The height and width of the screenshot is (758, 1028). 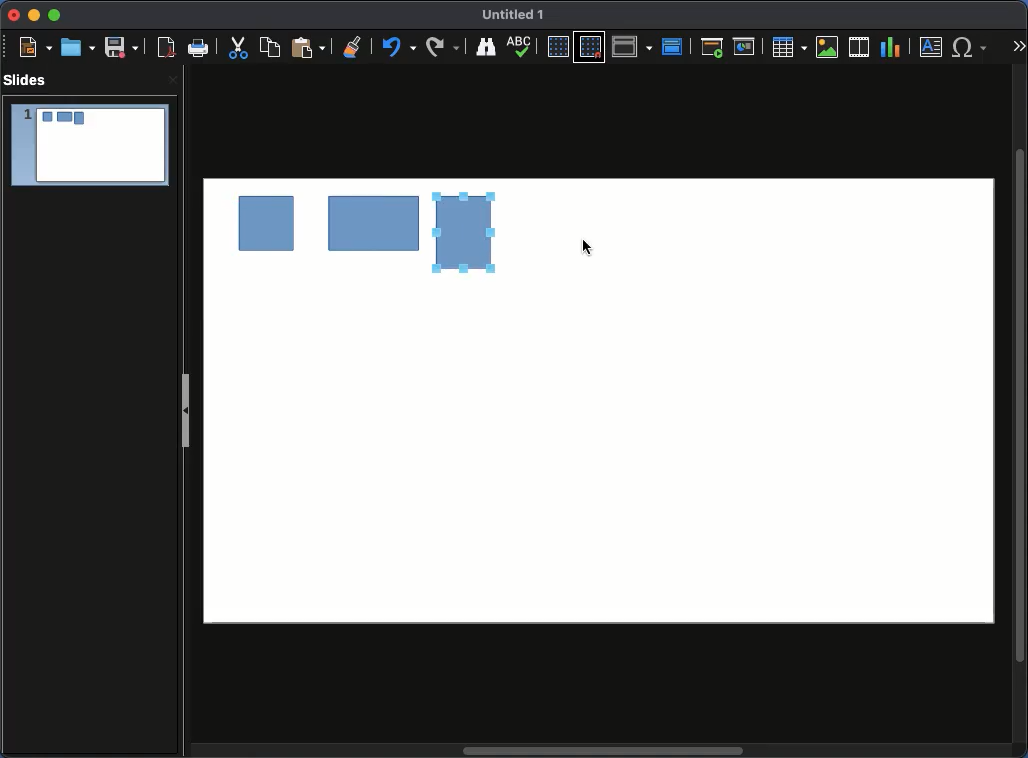 I want to click on Display views, so click(x=632, y=46).